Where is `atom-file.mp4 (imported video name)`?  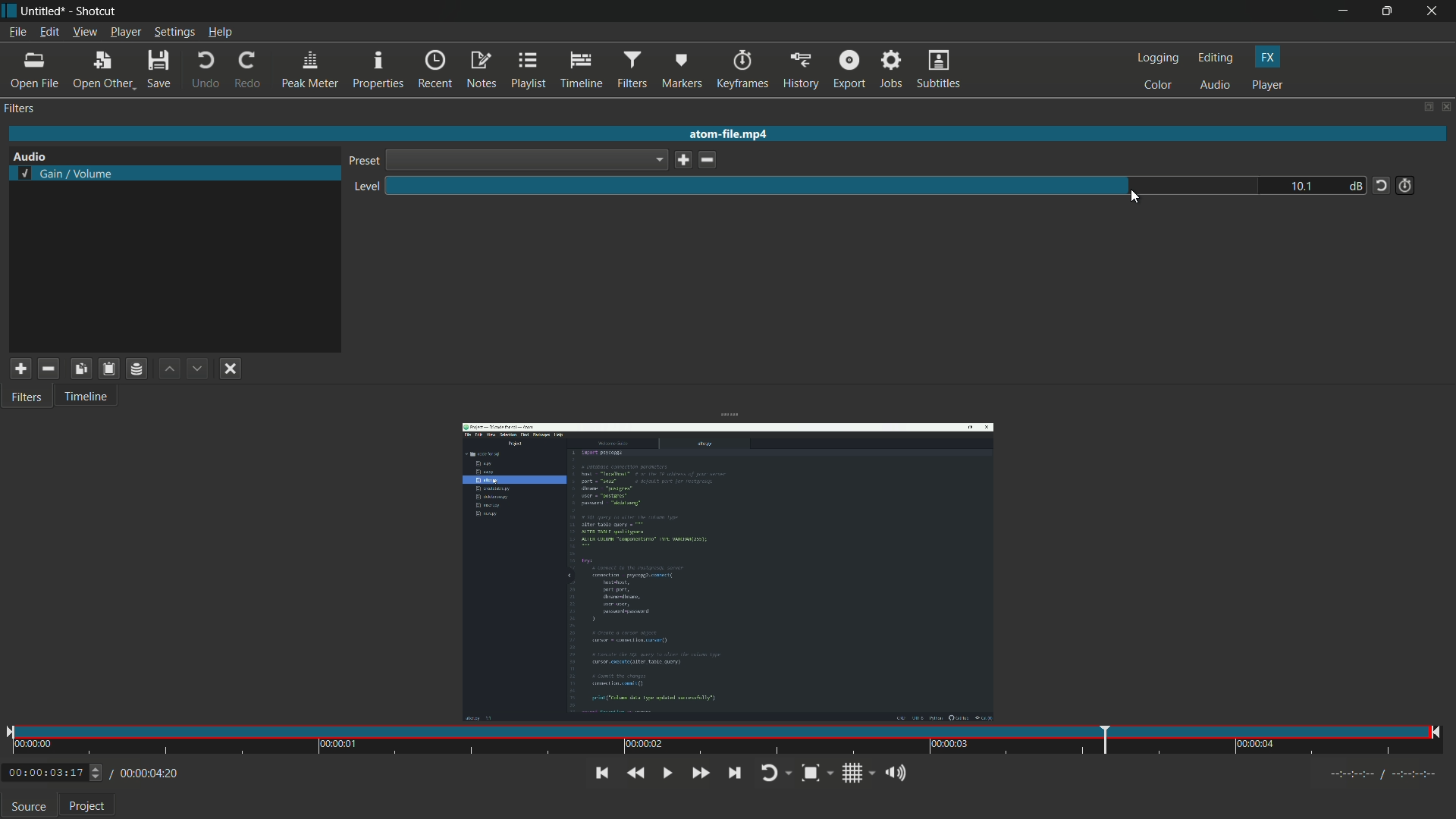 atom-file.mp4 (imported video name) is located at coordinates (732, 135).